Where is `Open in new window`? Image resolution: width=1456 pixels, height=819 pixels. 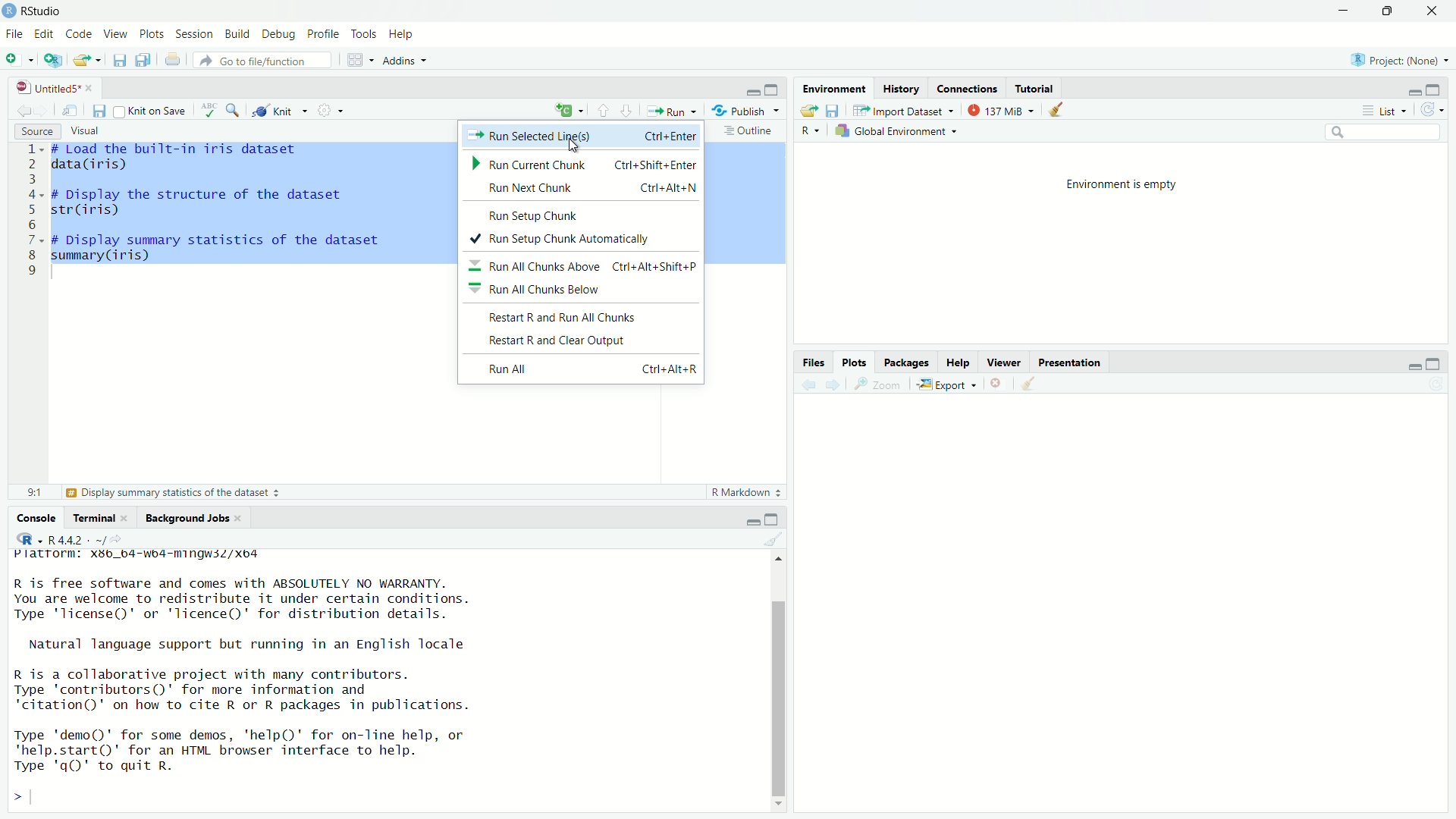
Open in new window is located at coordinates (71, 109).